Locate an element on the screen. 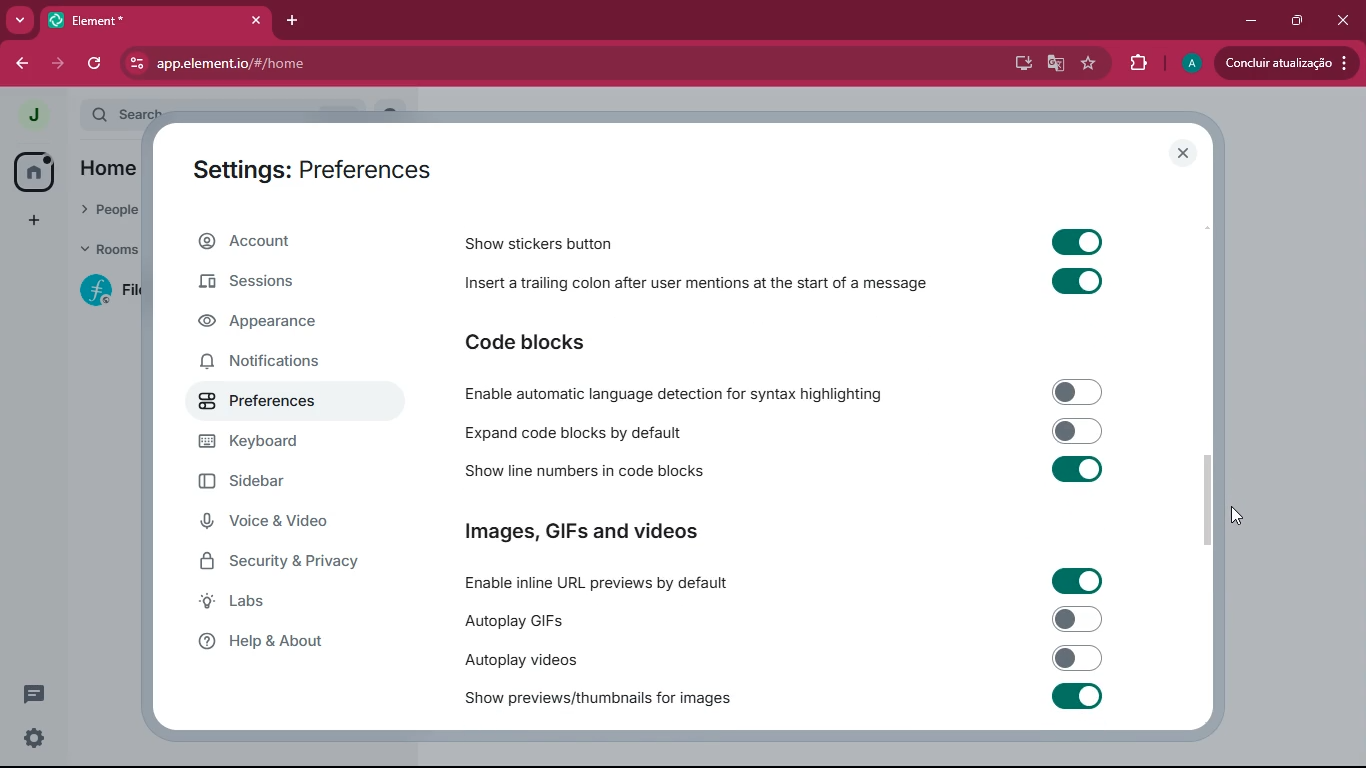 The width and height of the screenshot is (1366, 768). cursor is located at coordinates (1237, 516).